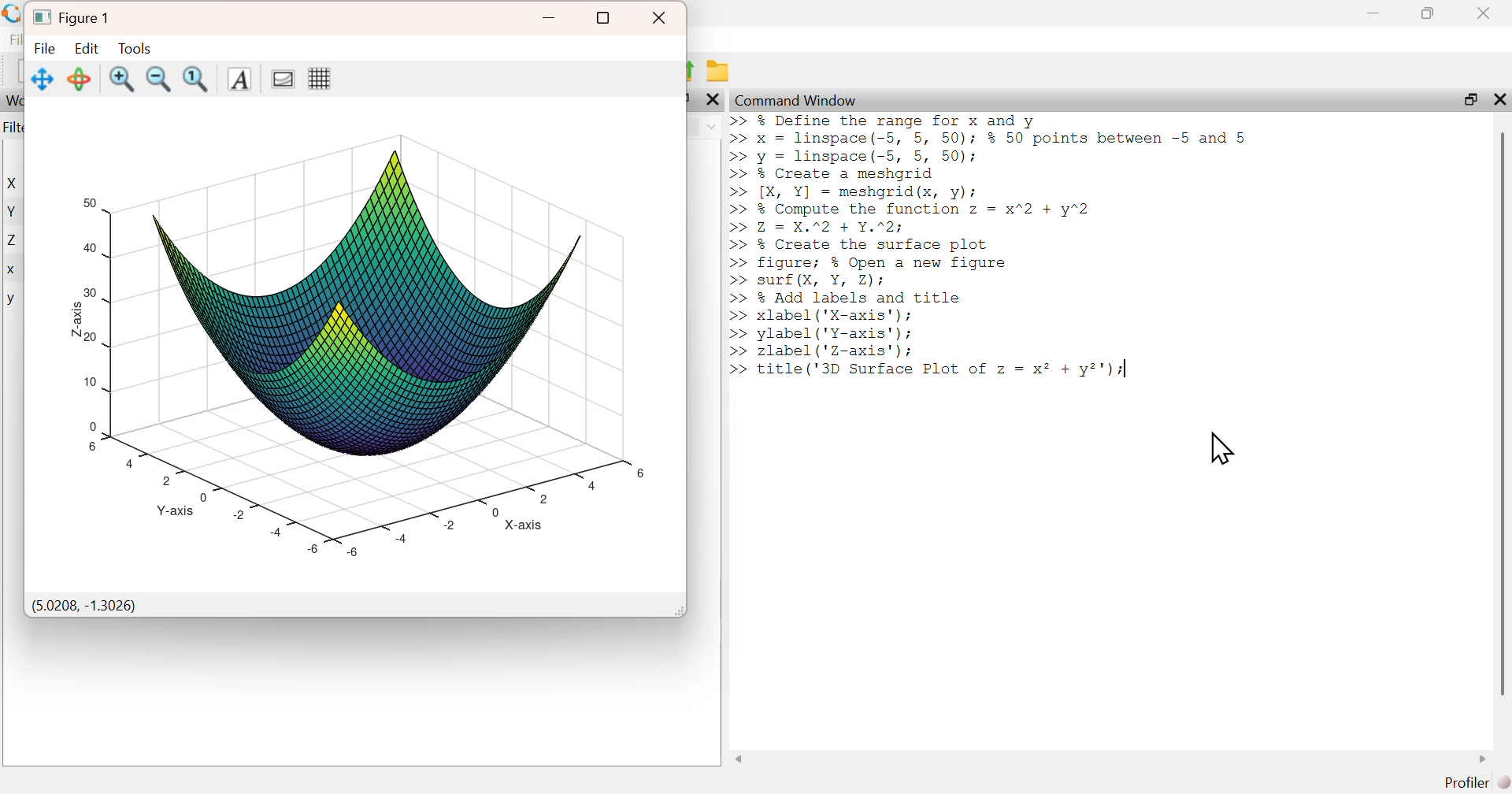  What do you see at coordinates (43, 79) in the screenshot?
I see `Move` at bounding box center [43, 79].